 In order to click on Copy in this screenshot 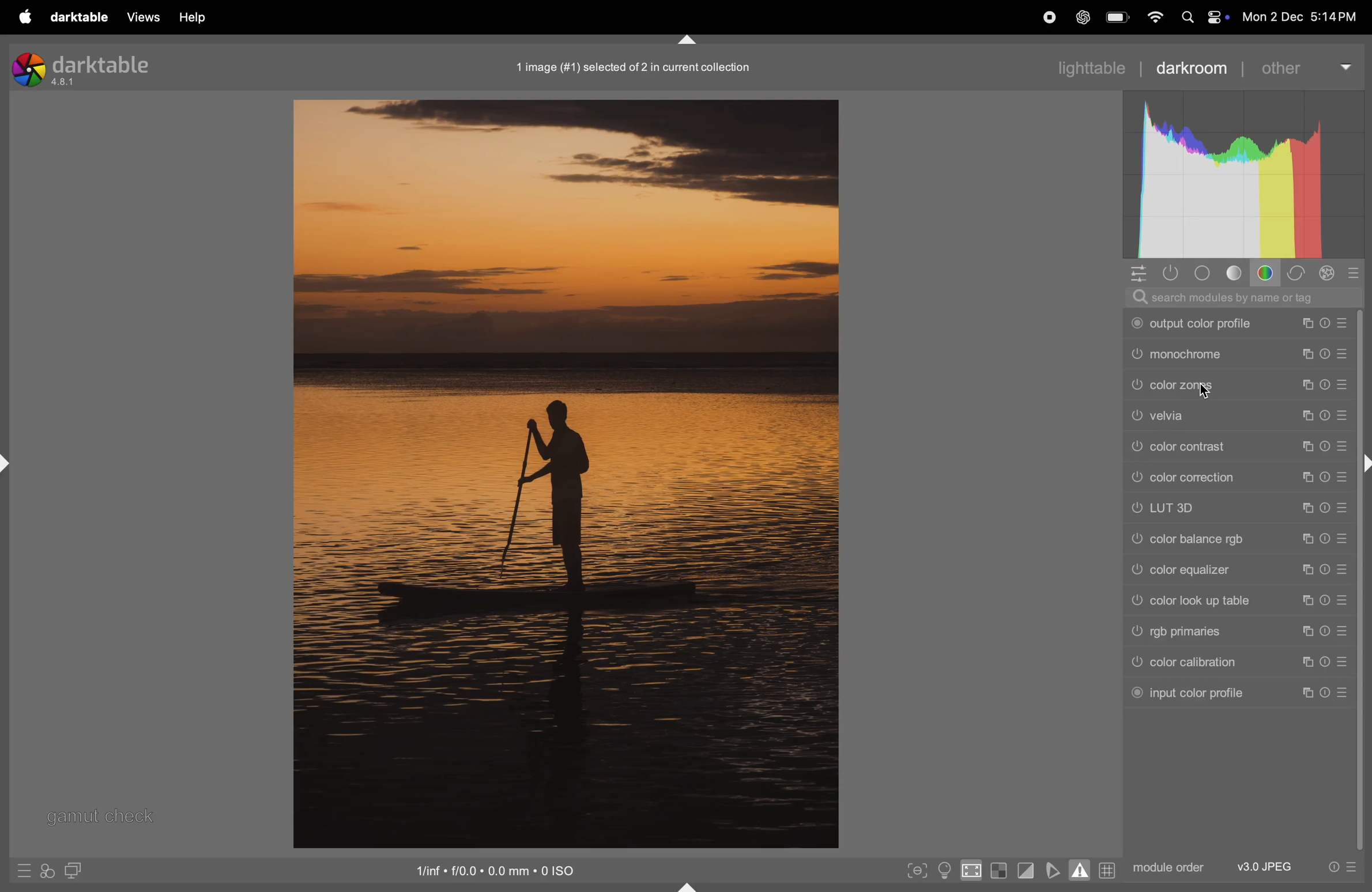, I will do `click(1305, 539)`.